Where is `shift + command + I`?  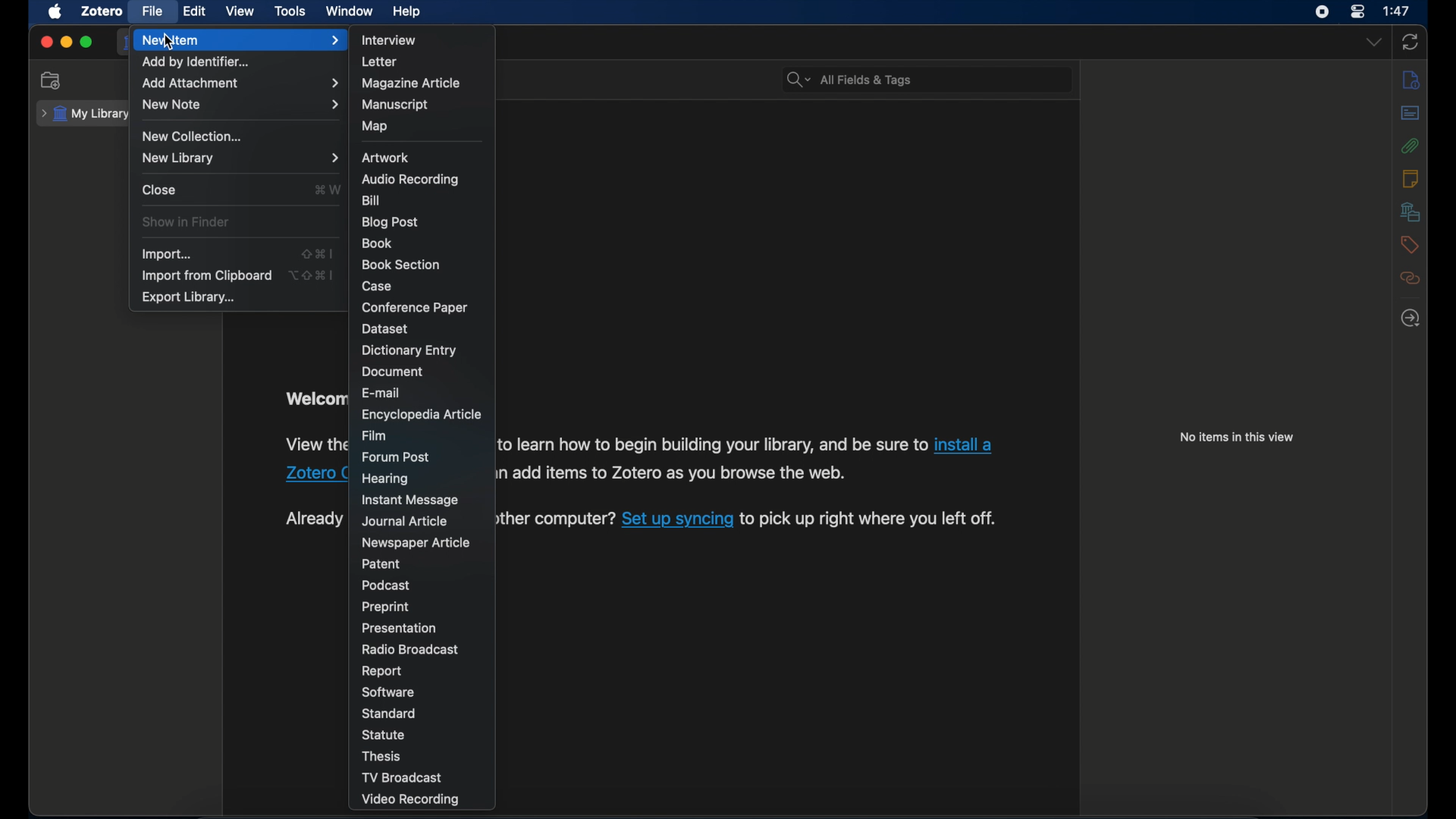
shift + command + I is located at coordinates (318, 253).